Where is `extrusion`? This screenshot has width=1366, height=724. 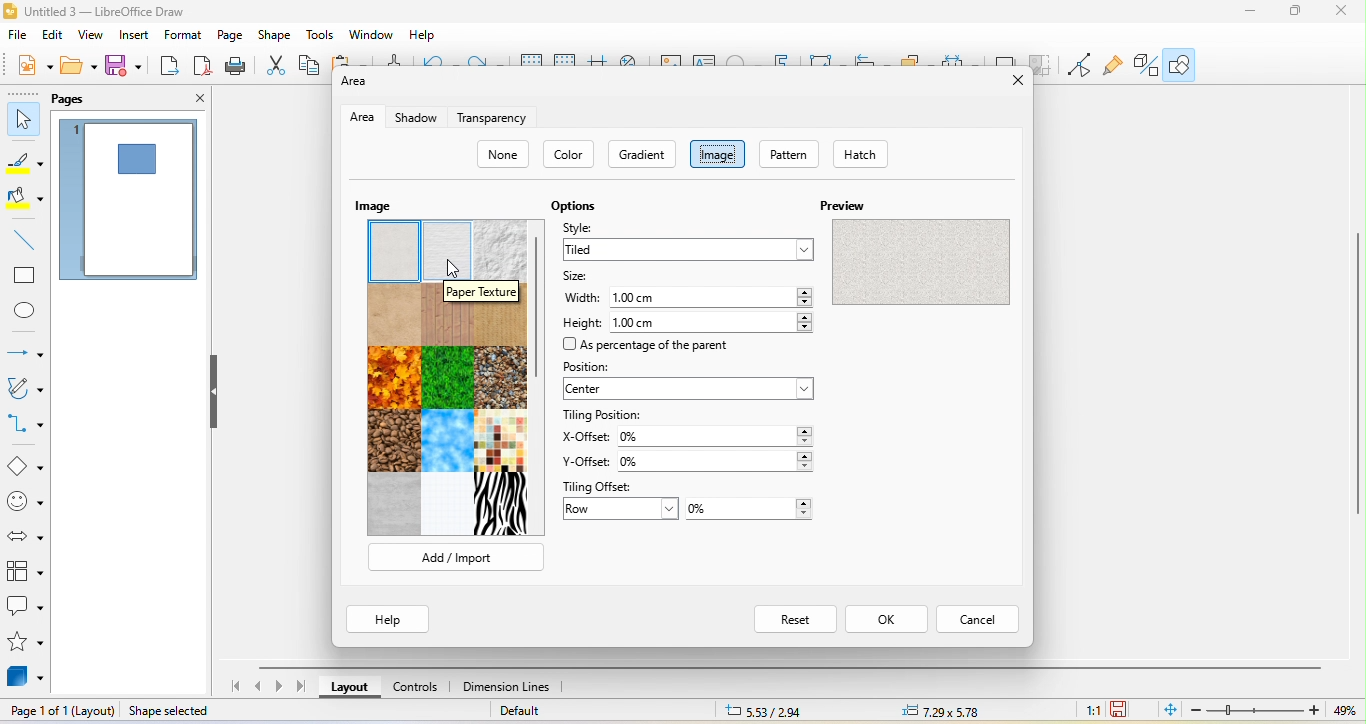 extrusion is located at coordinates (1150, 65).